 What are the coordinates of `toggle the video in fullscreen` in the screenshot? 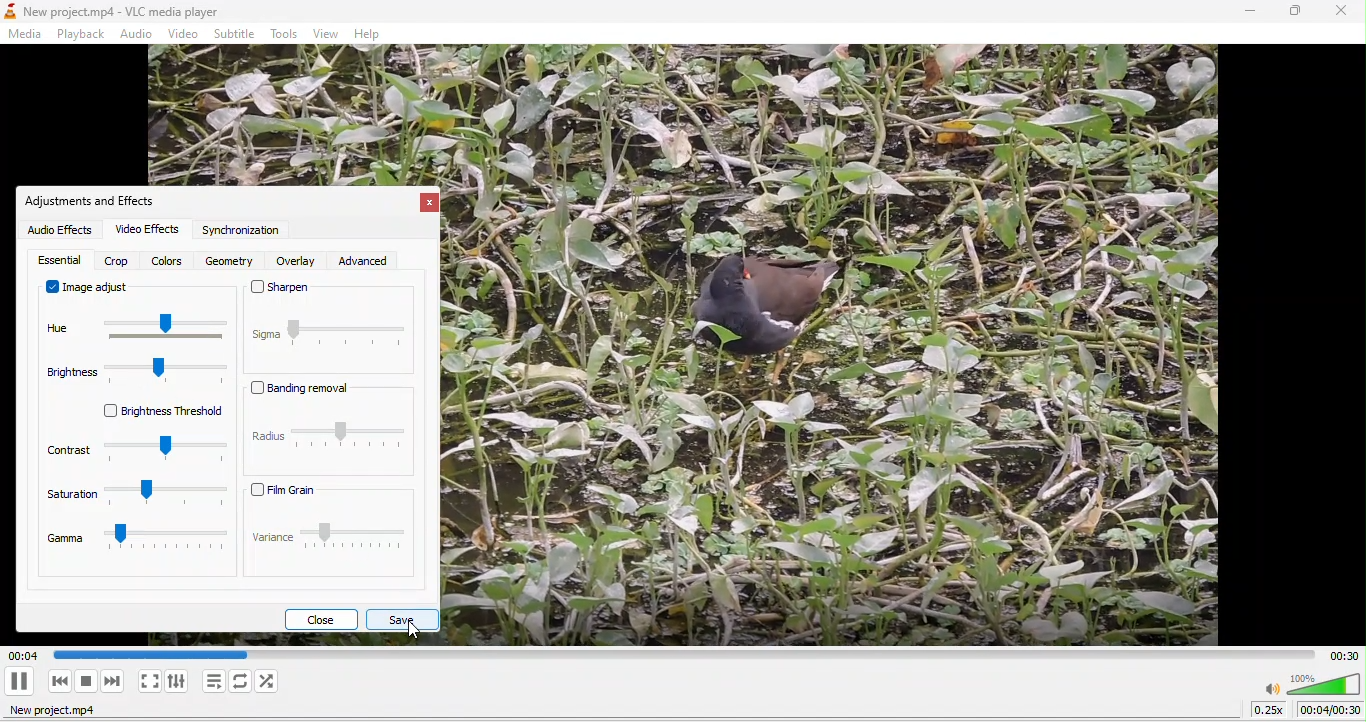 It's located at (148, 684).